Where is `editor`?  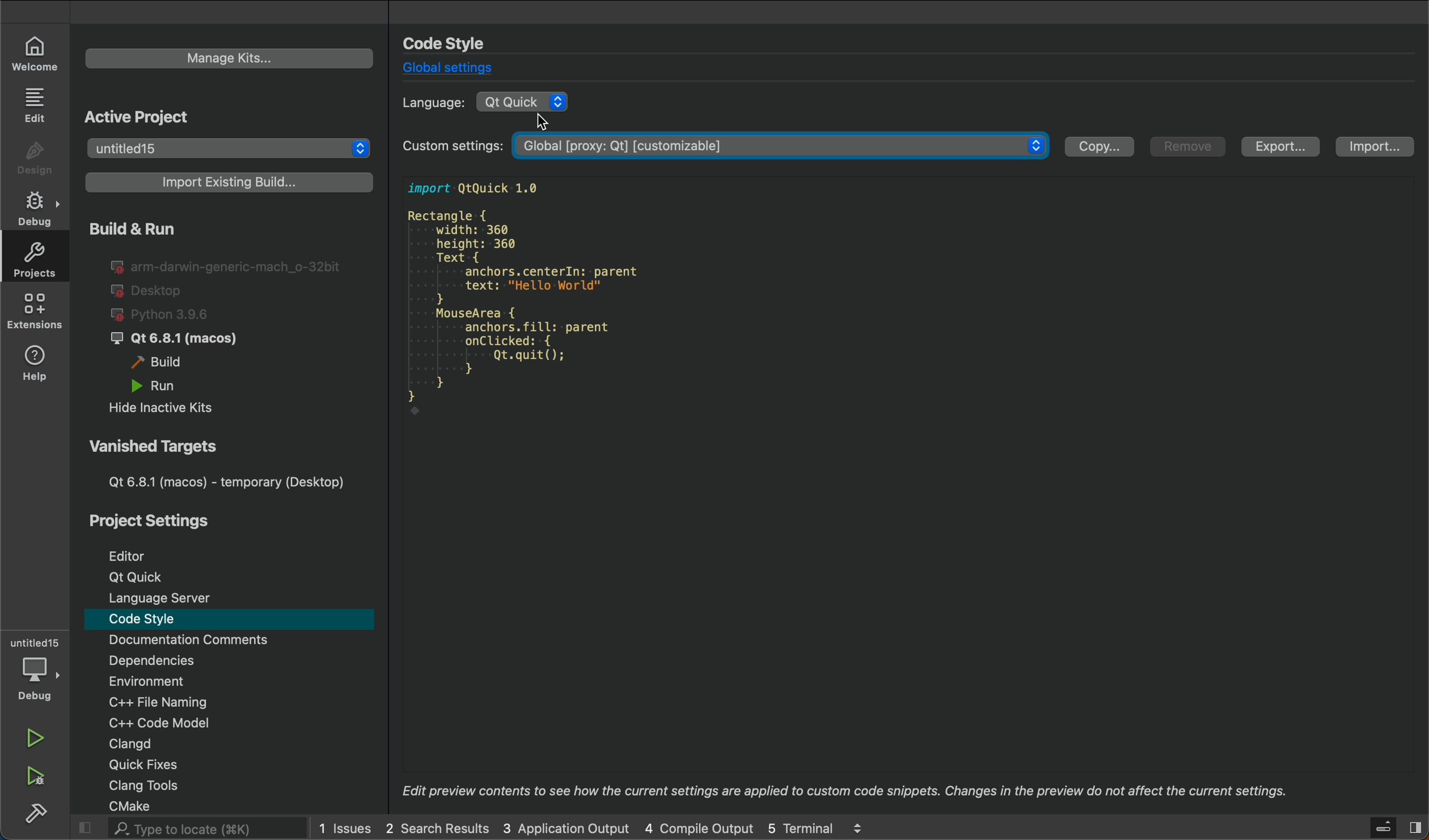
editor is located at coordinates (134, 553).